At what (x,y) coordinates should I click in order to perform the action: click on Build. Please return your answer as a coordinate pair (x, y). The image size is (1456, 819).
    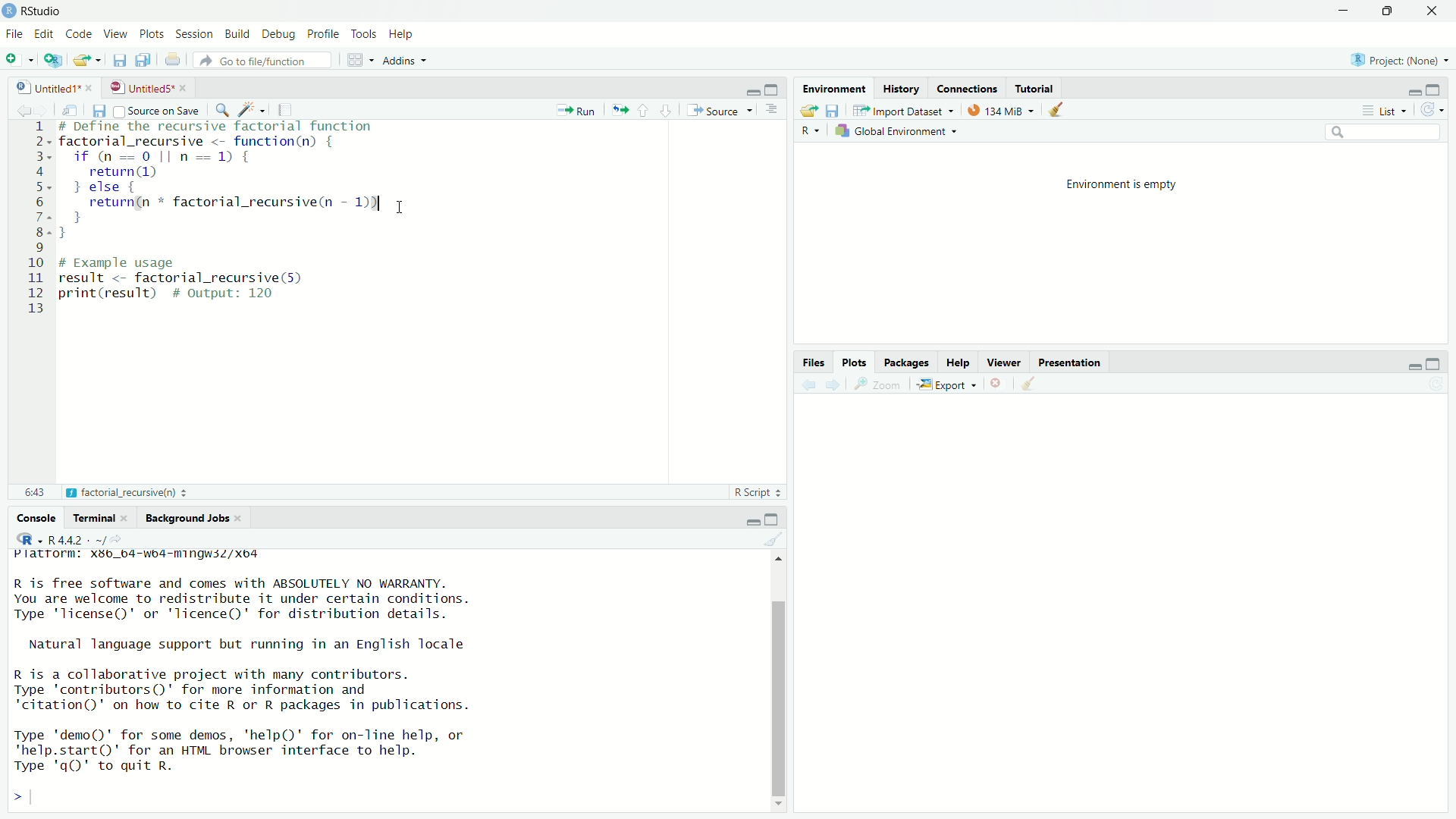
    Looking at the image, I should click on (234, 33).